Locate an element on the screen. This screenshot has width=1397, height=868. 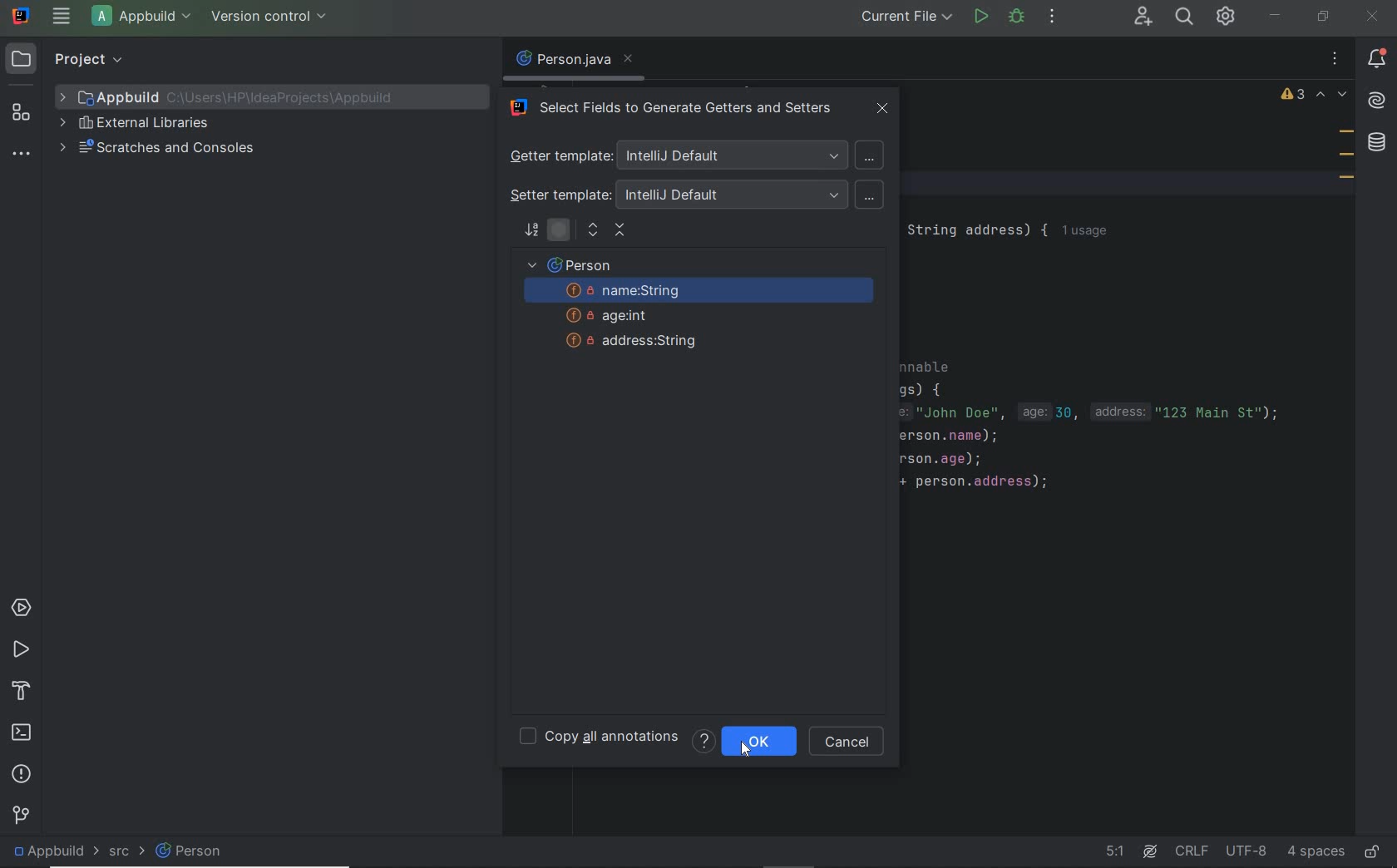
file encoding is located at coordinates (1247, 851).